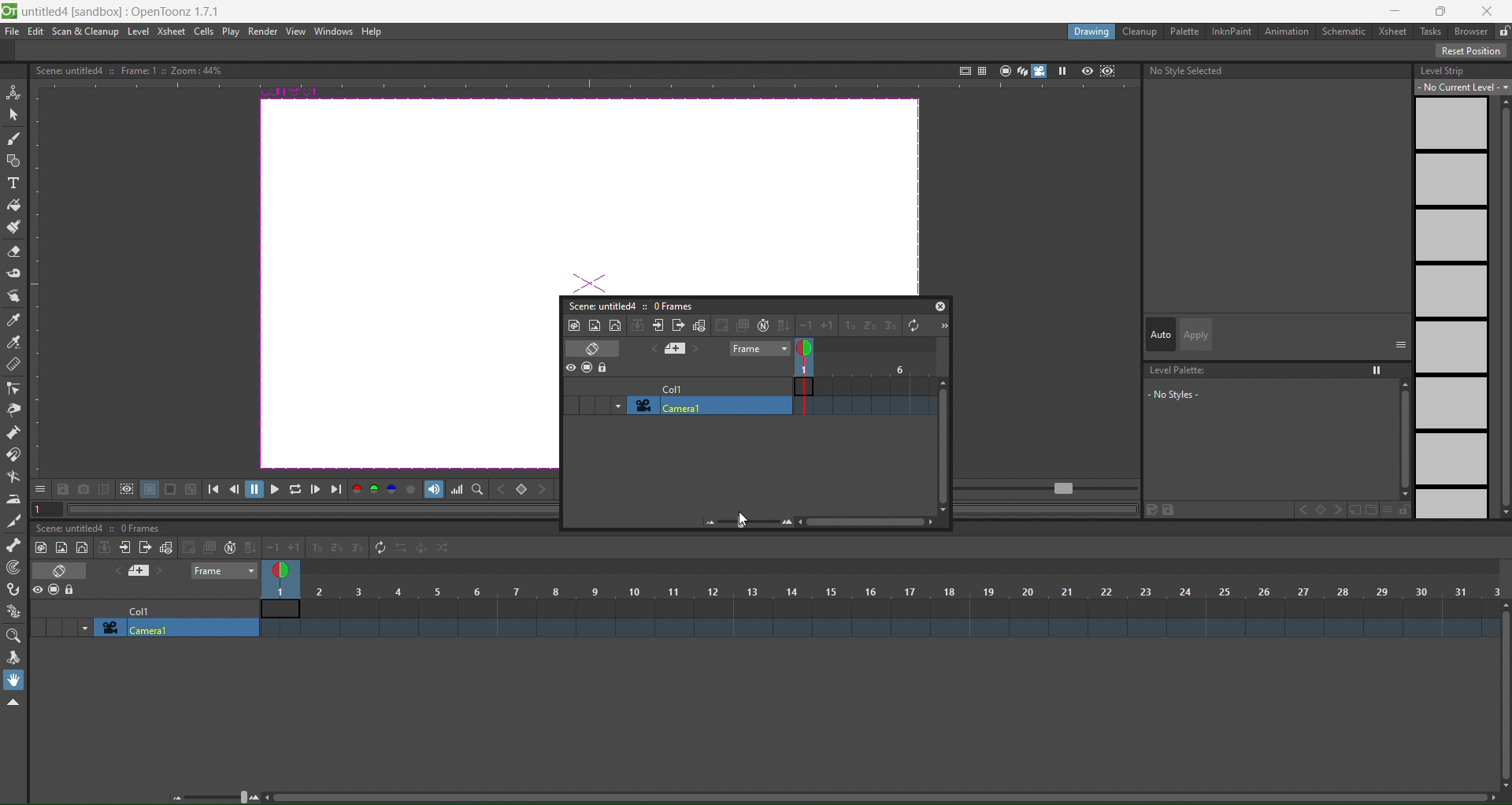 This screenshot has width=1512, height=805. Describe the element at coordinates (435, 489) in the screenshot. I see `soundtrack` at that location.